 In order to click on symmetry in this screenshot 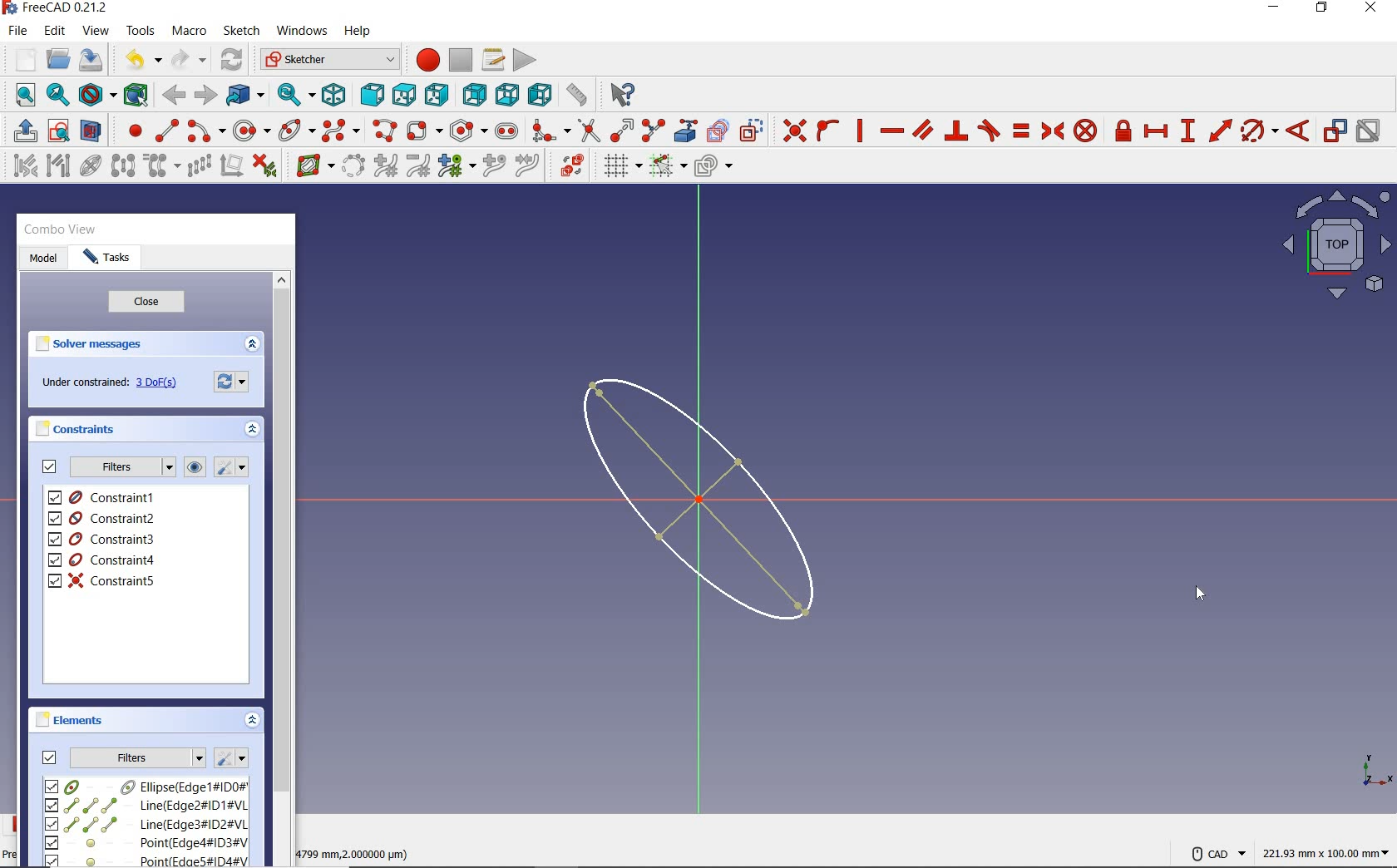, I will do `click(124, 165)`.